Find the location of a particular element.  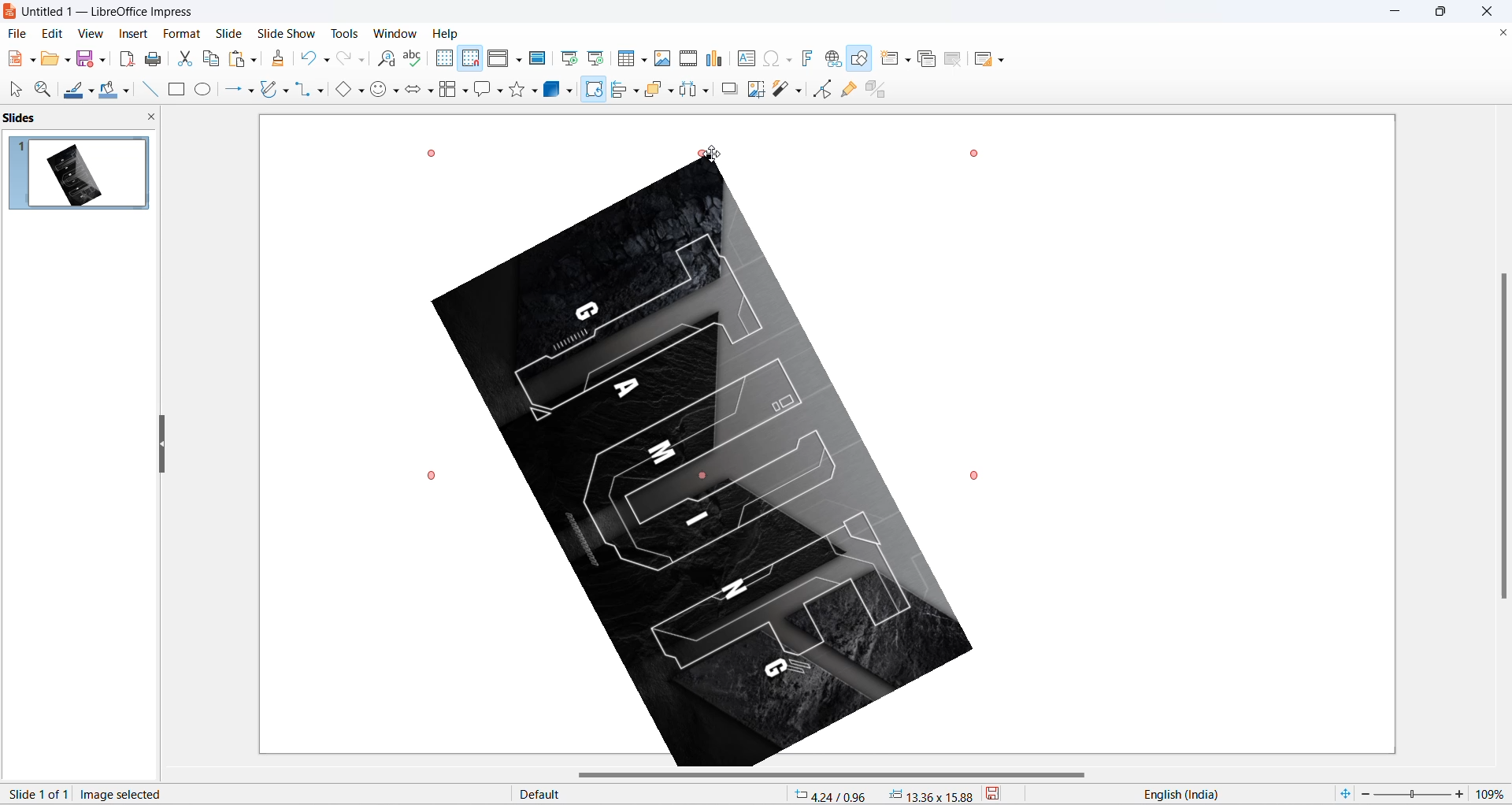

slide layout icon is located at coordinates (985, 61).